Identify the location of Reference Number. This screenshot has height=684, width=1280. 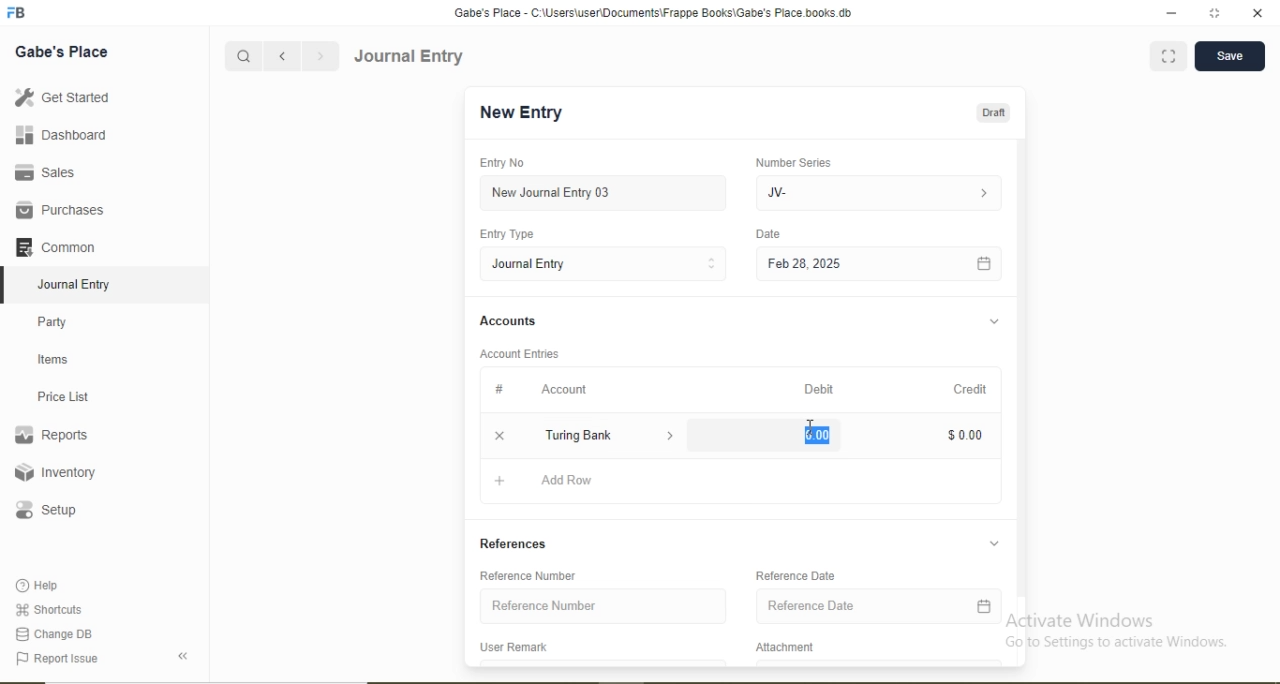
(527, 575).